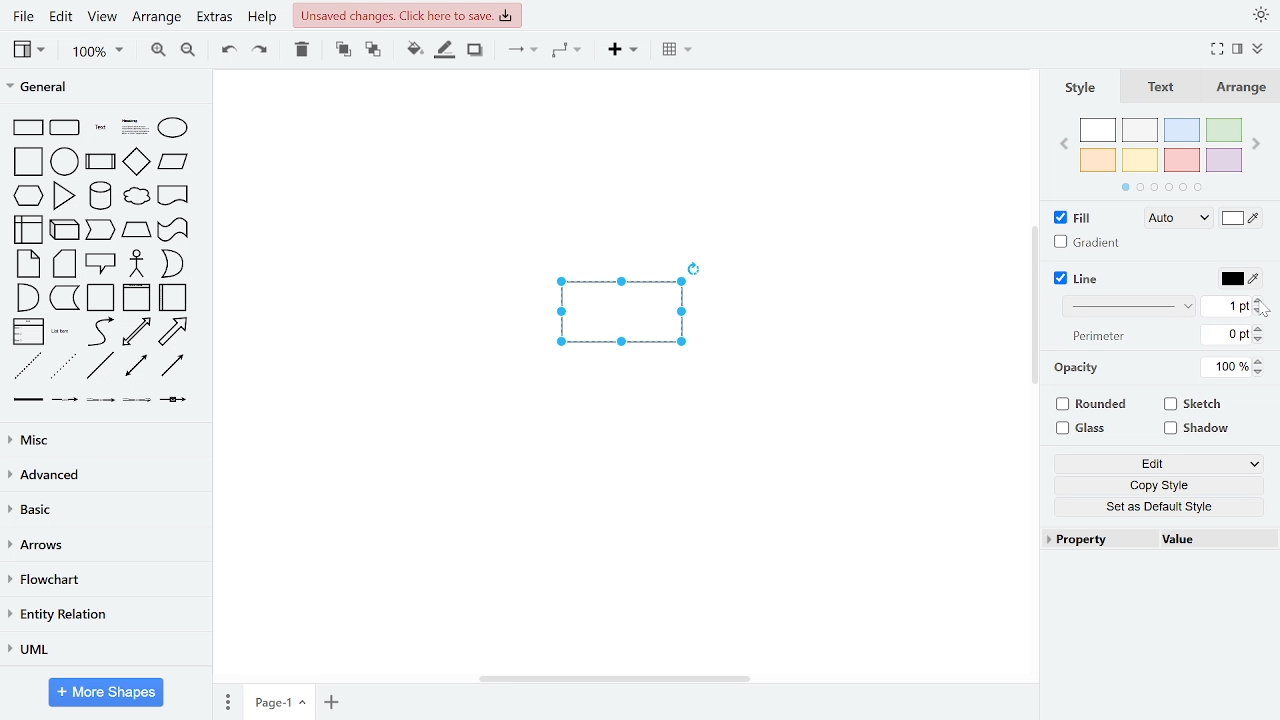 Image resolution: width=1280 pixels, height=720 pixels. I want to click on decrease line width, so click(1259, 312).